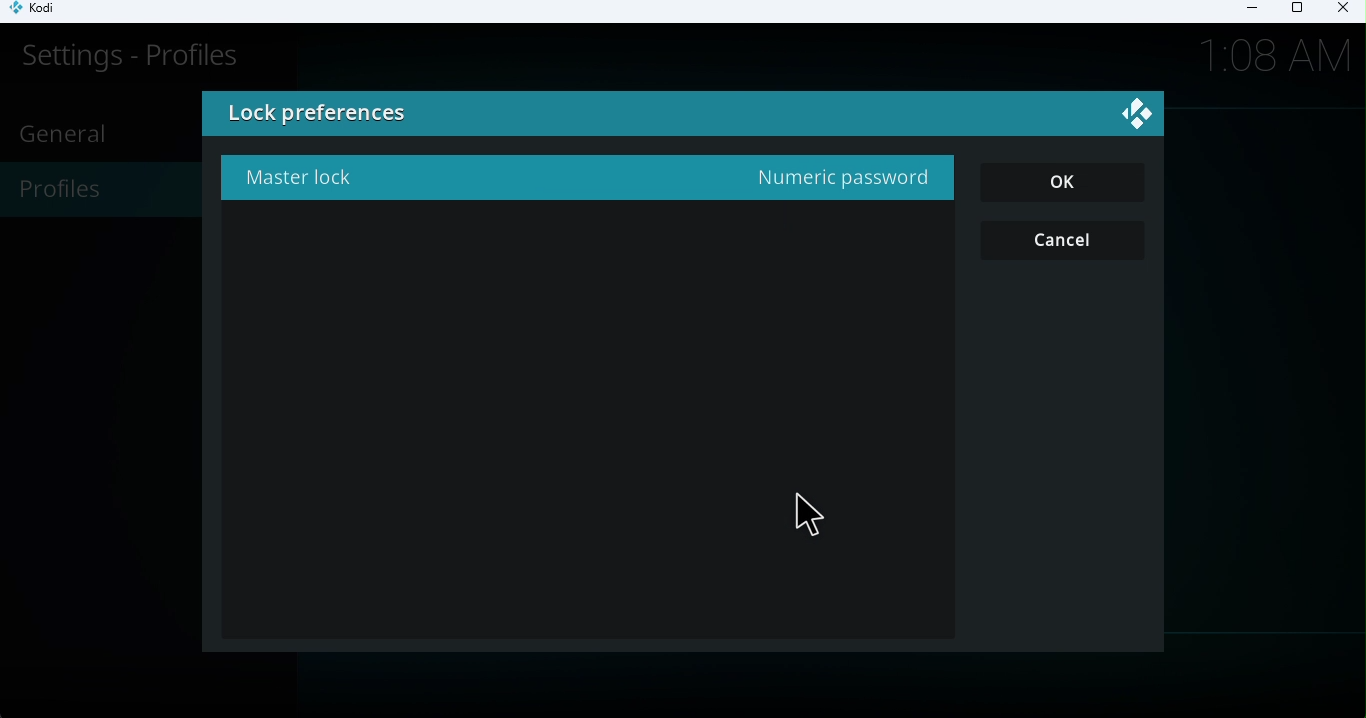  Describe the element at coordinates (1061, 242) in the screenshot. I see `Cancel` at that location.